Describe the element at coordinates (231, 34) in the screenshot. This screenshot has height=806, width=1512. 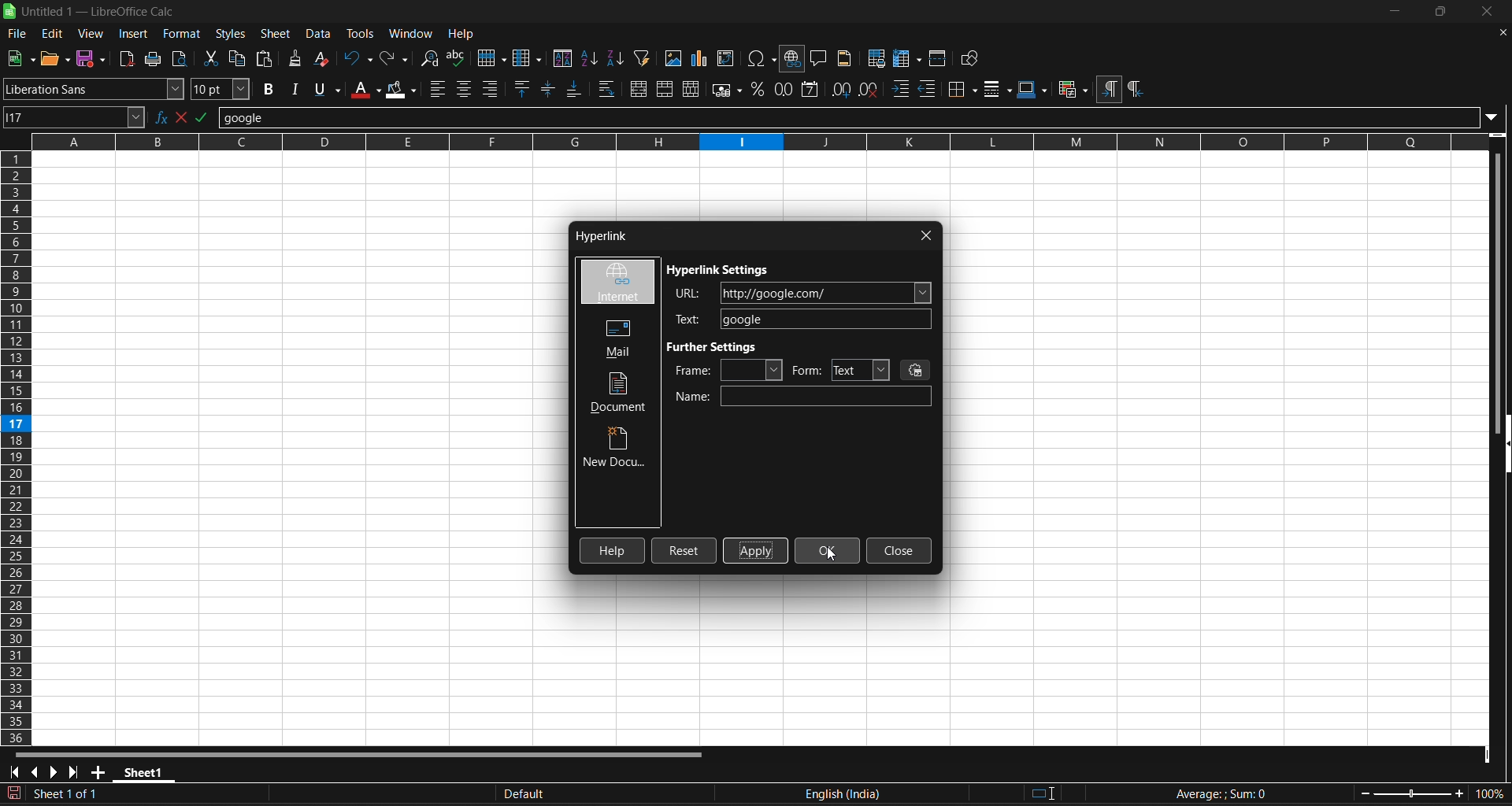
I see `styles` at that location.